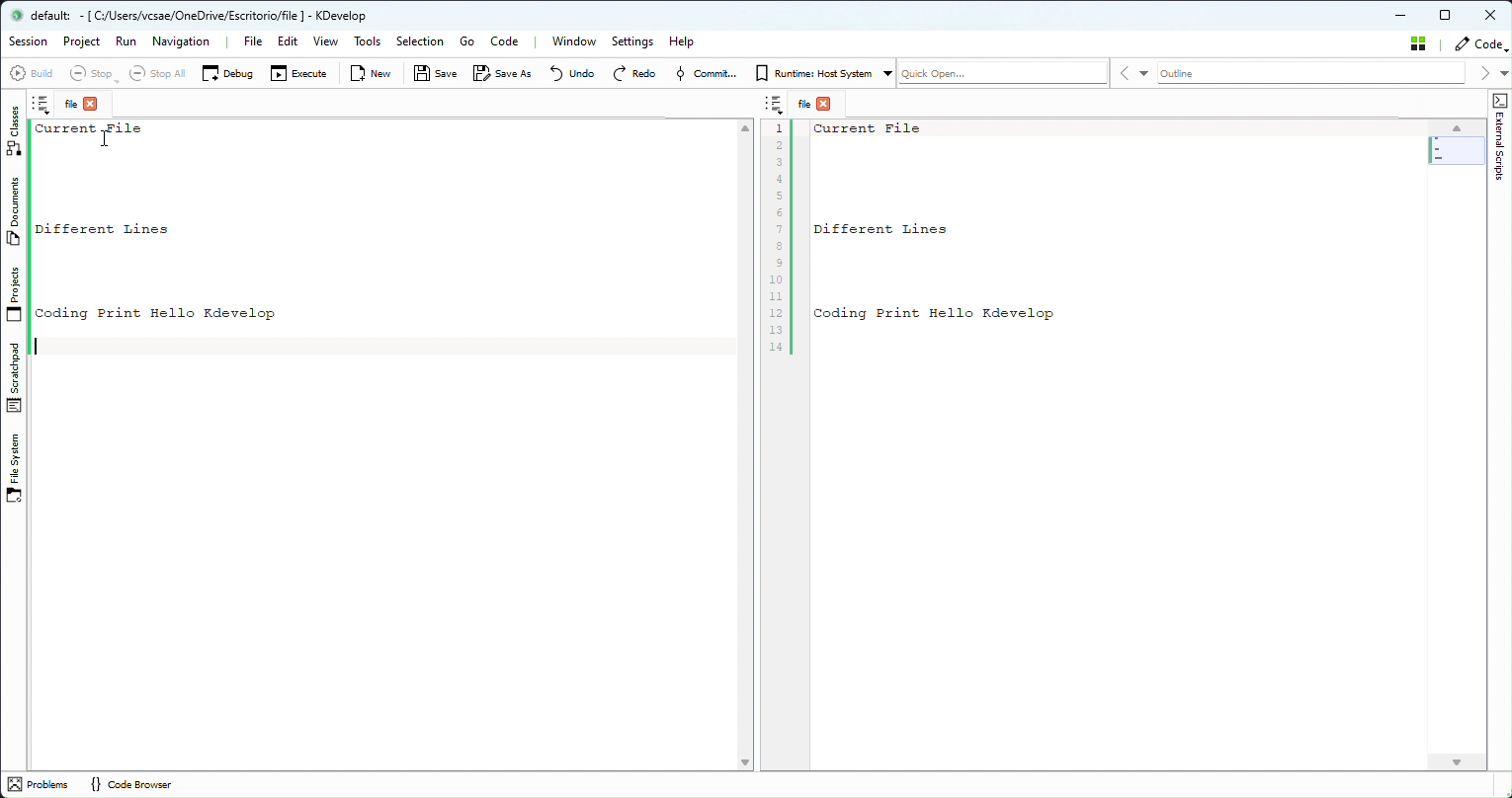 The image size is (1512, 798). Describe the element at coordinates (574, 75) in the screenshot. I see `Undo` at that location.